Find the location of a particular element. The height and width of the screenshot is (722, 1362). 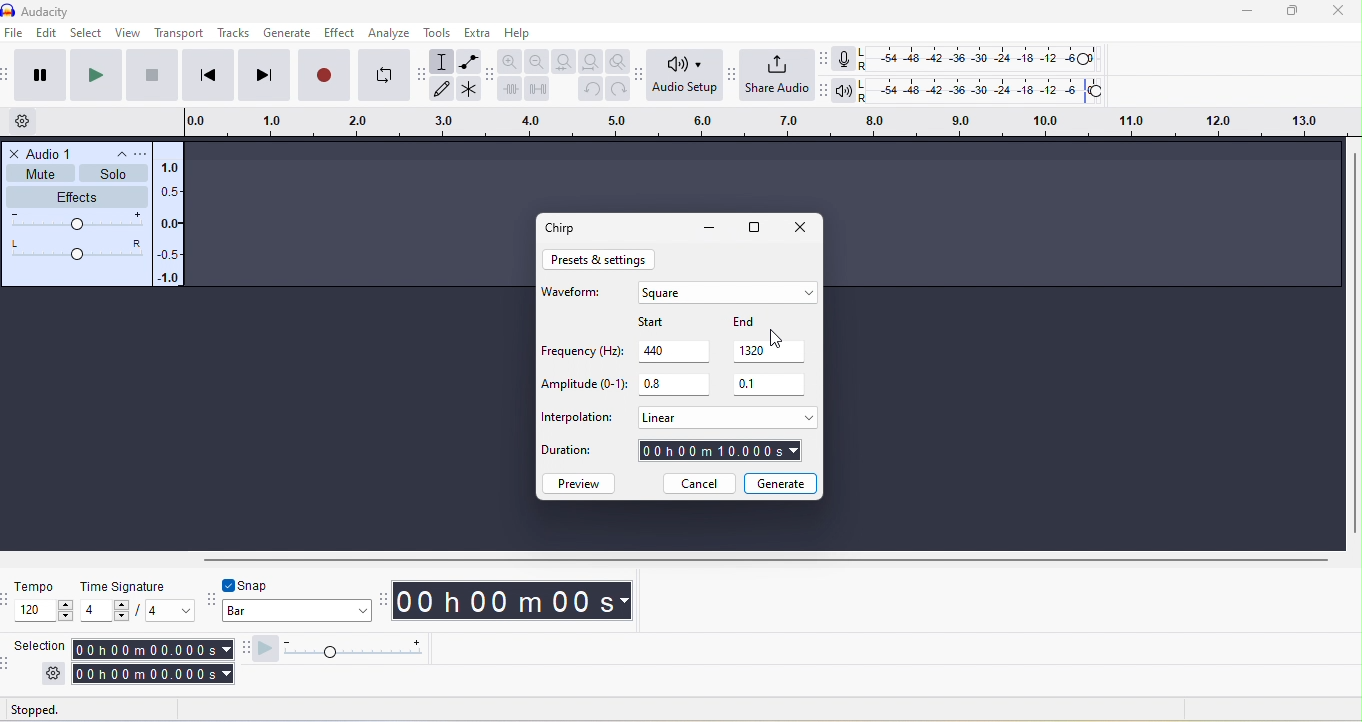

collapse is located at coordinates (114, 154).